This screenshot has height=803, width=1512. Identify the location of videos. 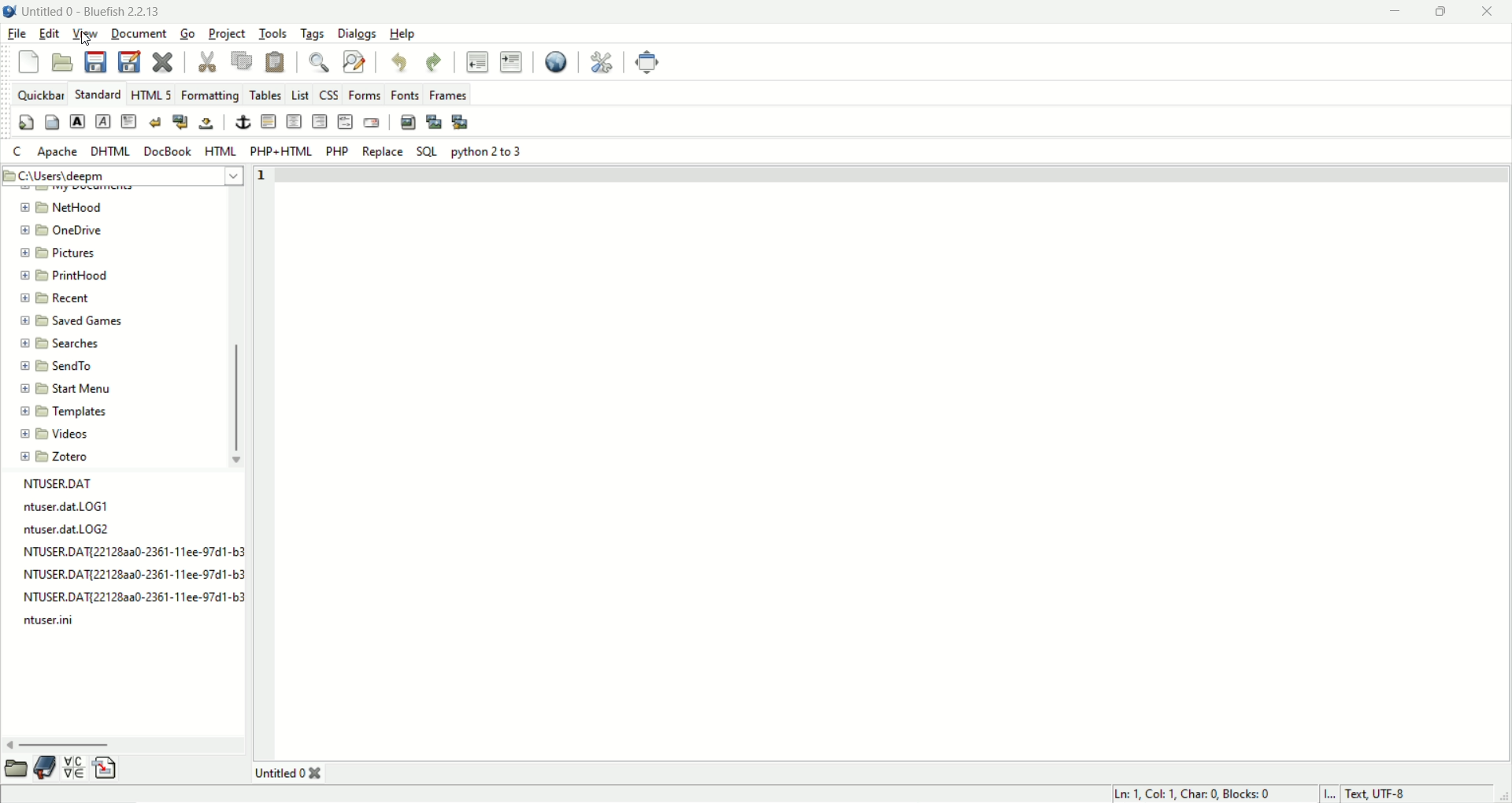
(56, 435).